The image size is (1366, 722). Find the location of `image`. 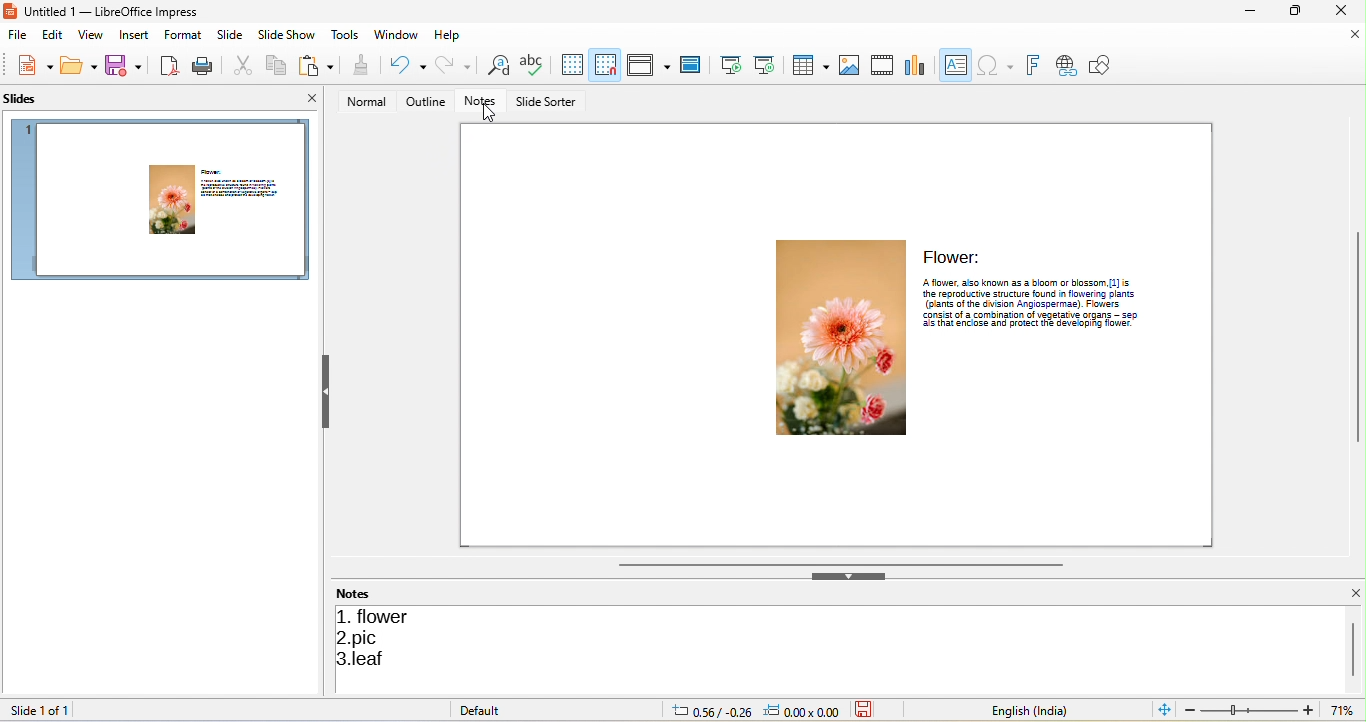

image is located at coordinates (847, 63).